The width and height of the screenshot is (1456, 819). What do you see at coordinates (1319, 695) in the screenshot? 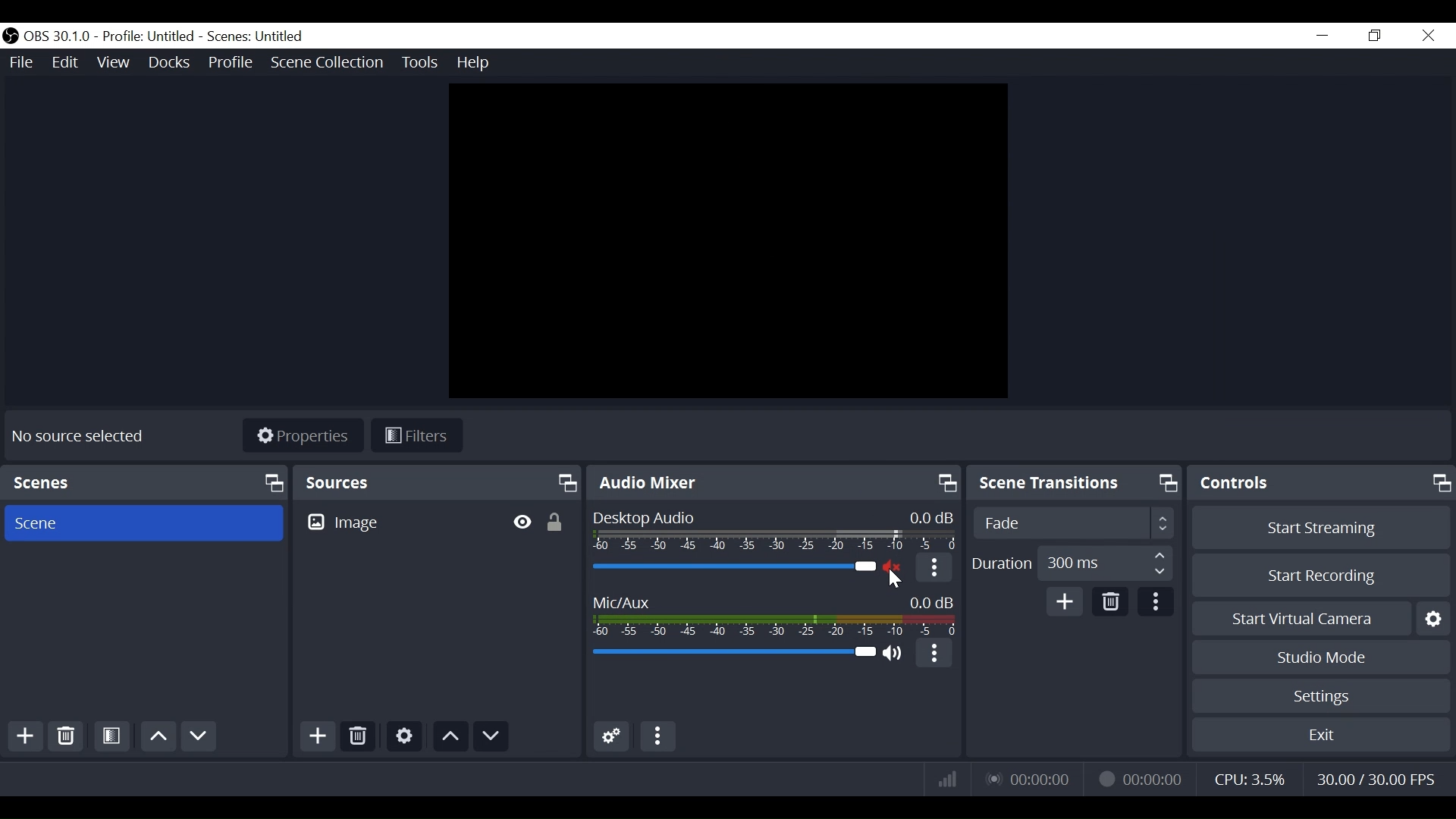
I see `Settings` at bounding box center [1319, 695].